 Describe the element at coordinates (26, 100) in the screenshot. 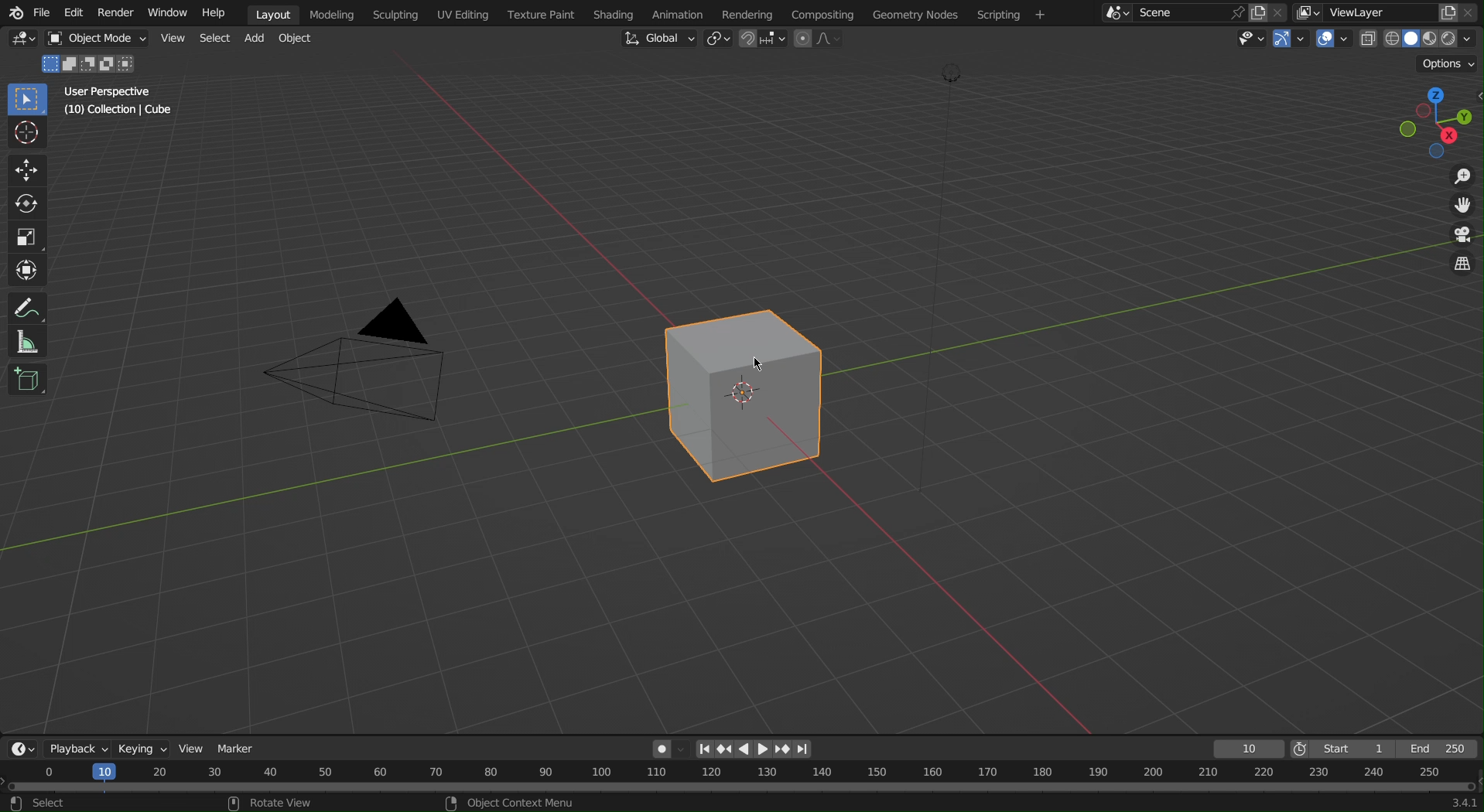

I see `Select Box` at that location.